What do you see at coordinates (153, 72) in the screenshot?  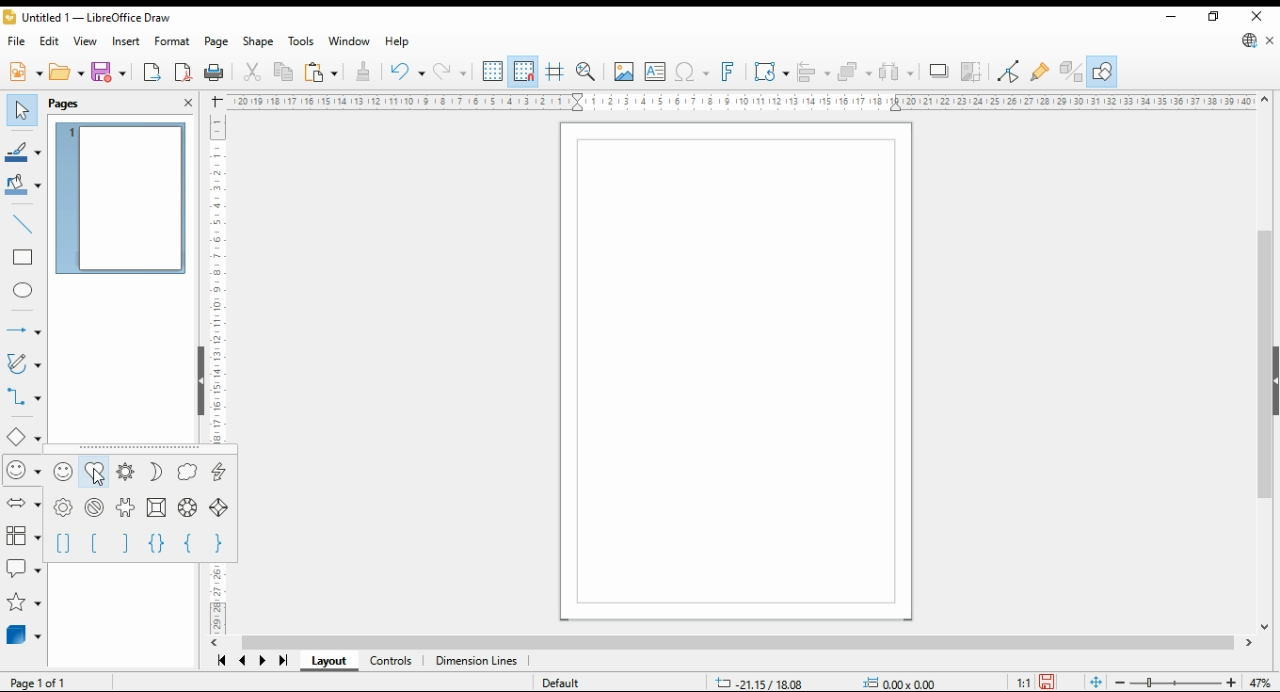 I see `export` at bounding box center [153, 72].